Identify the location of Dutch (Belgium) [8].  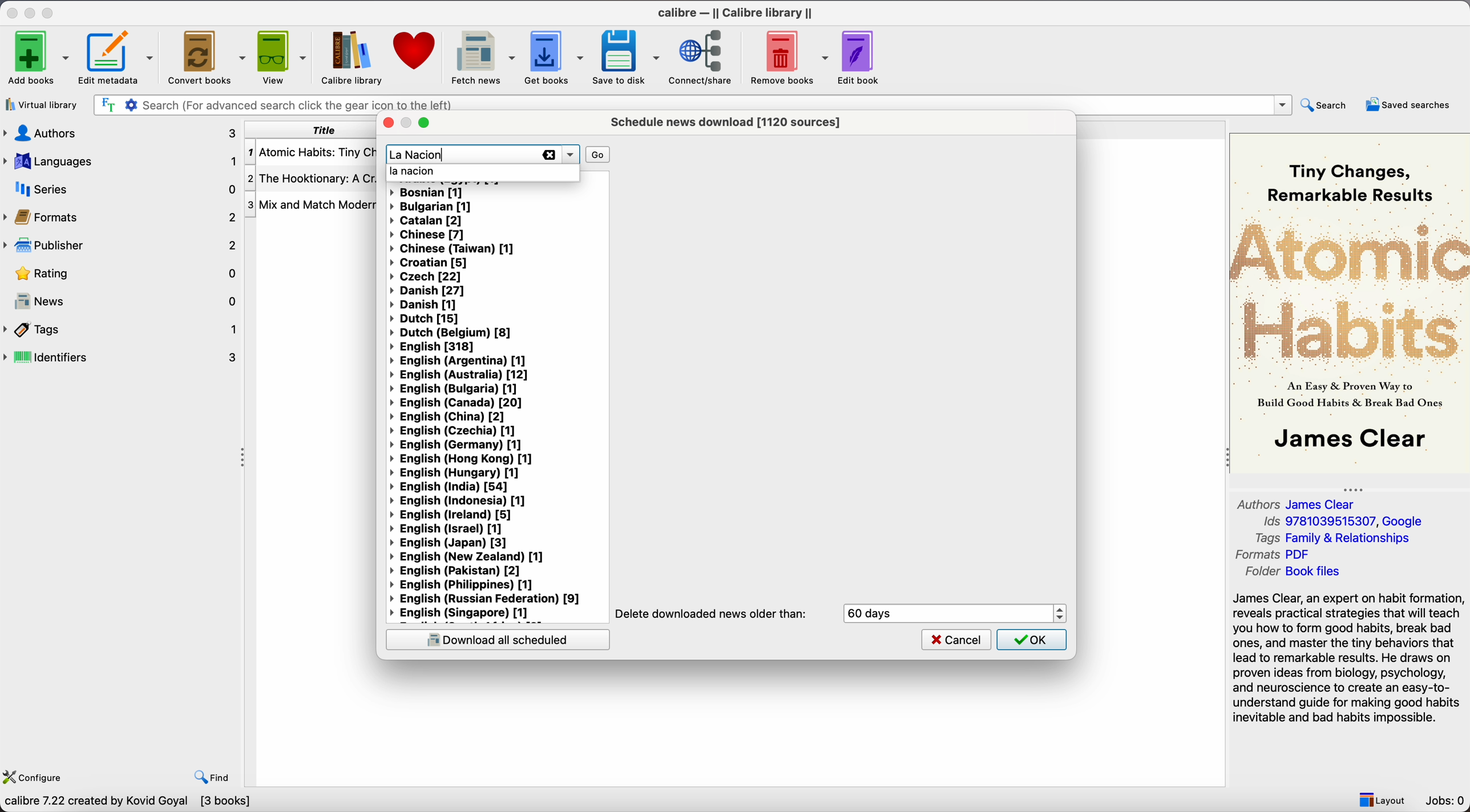
(454, 333).